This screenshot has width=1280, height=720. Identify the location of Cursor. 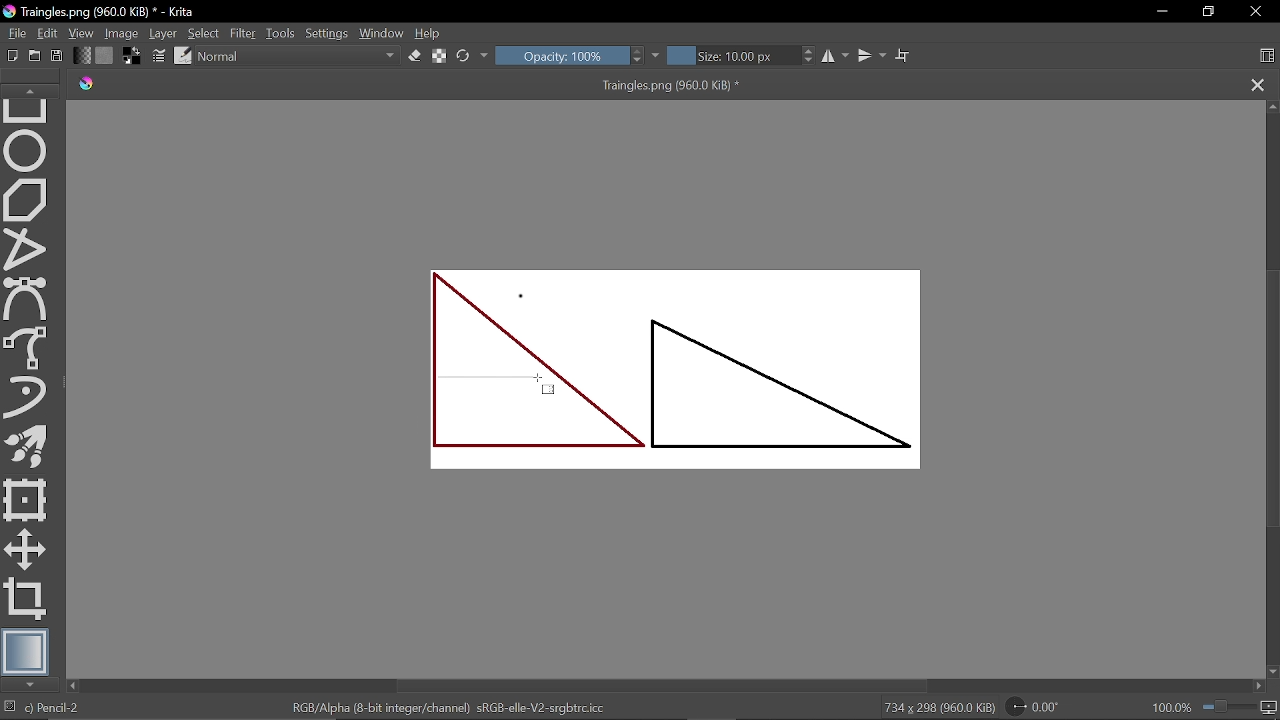
(546, 388).